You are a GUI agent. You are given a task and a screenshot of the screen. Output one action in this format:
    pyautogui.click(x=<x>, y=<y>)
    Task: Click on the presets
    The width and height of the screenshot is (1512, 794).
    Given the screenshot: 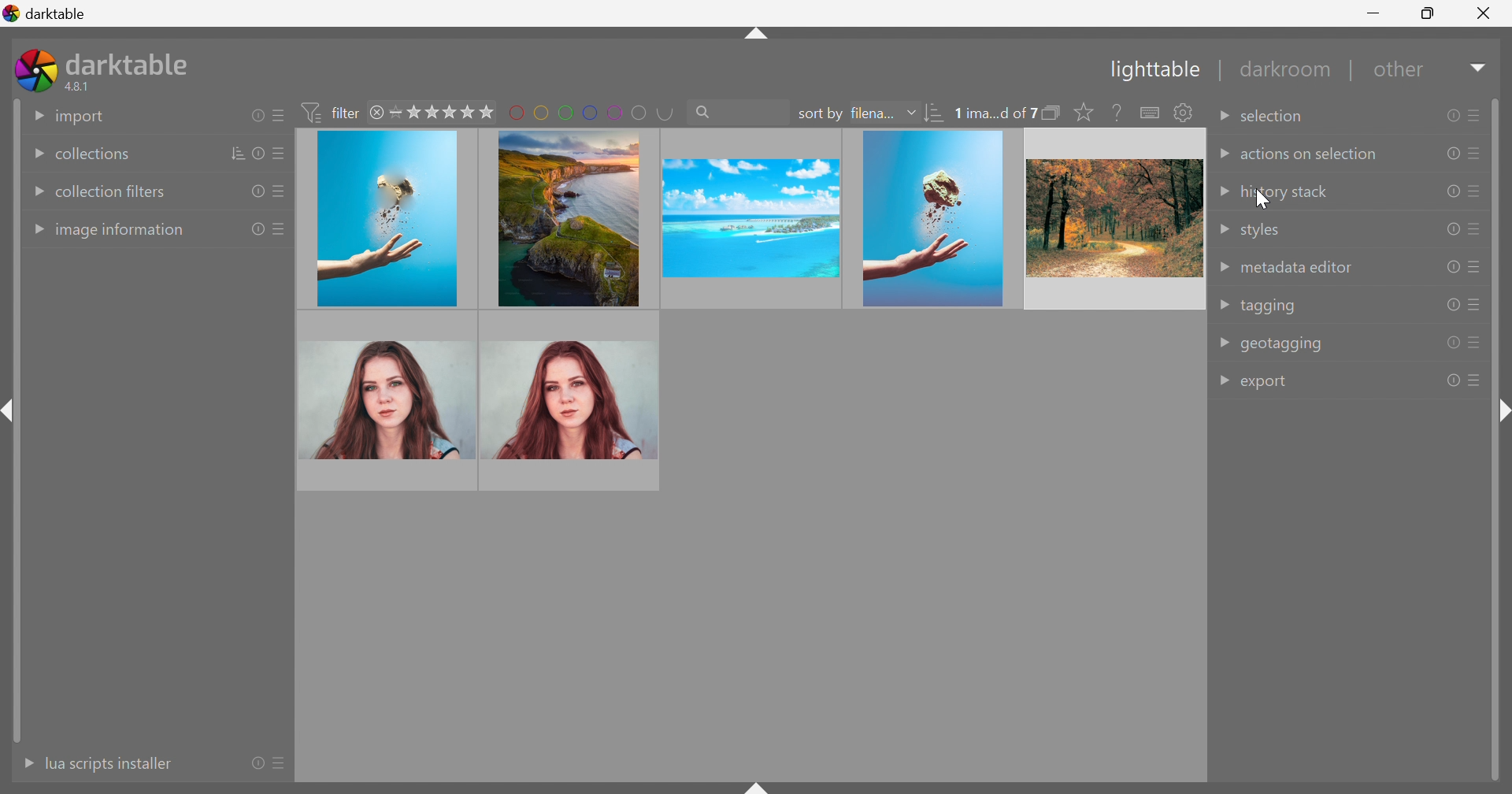 What is the action you would take?
    pyautogui.click(x=1477, y=382)
    